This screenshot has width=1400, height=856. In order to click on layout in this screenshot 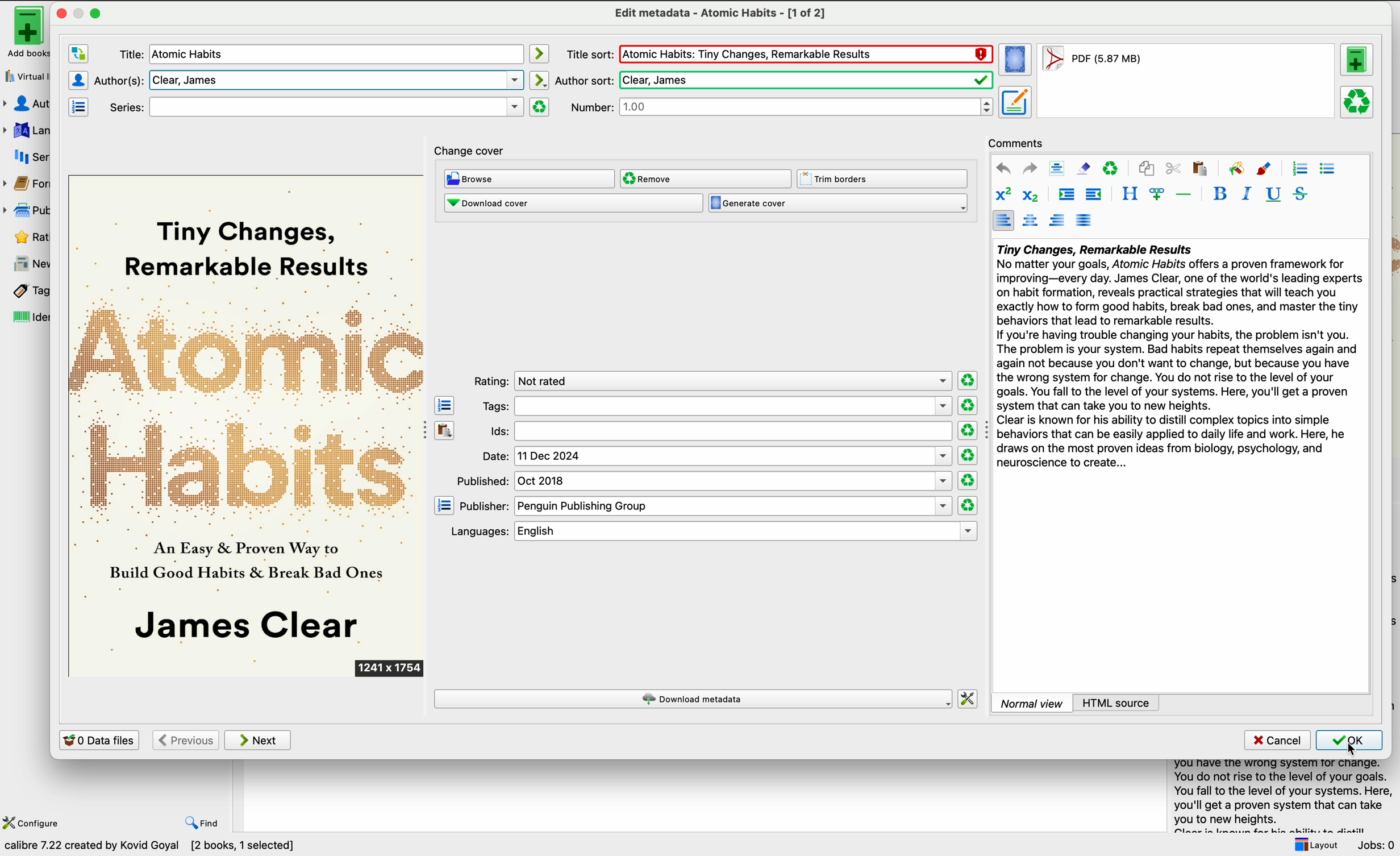, I will do `click(1315, 845)`.